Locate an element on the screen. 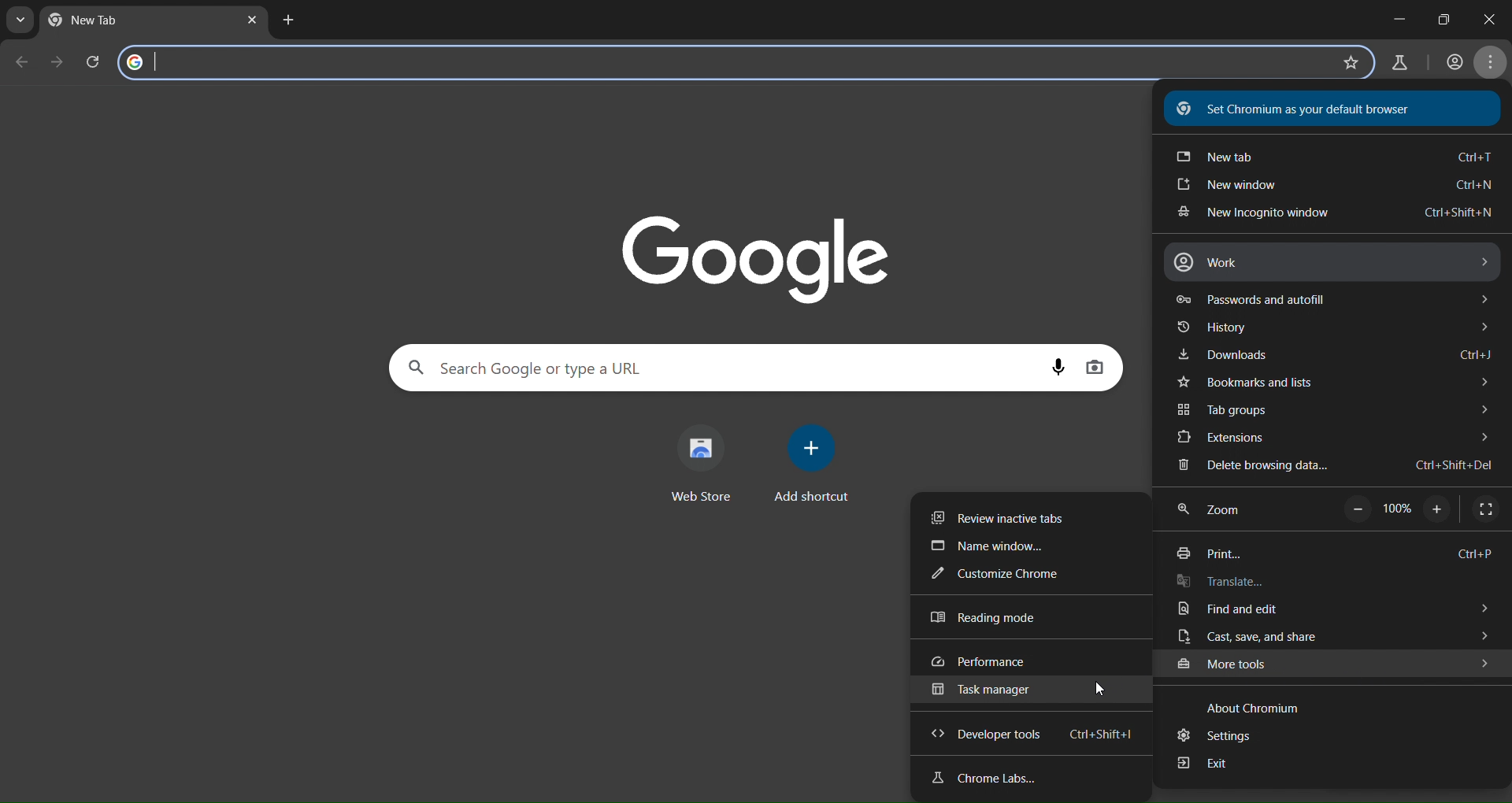  Google is located at coordinates (753, 254).